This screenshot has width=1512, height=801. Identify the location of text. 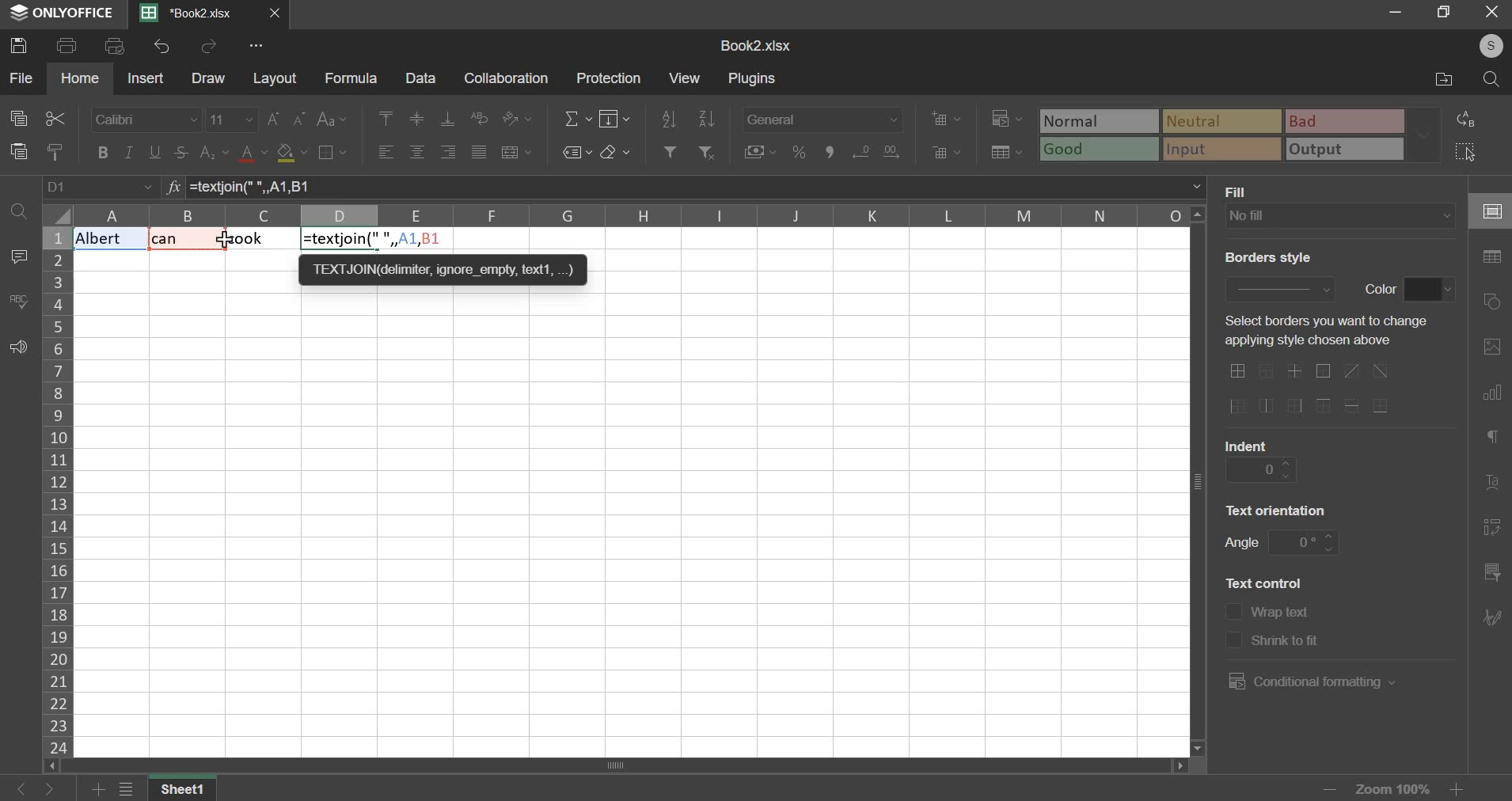
(1283, 614).